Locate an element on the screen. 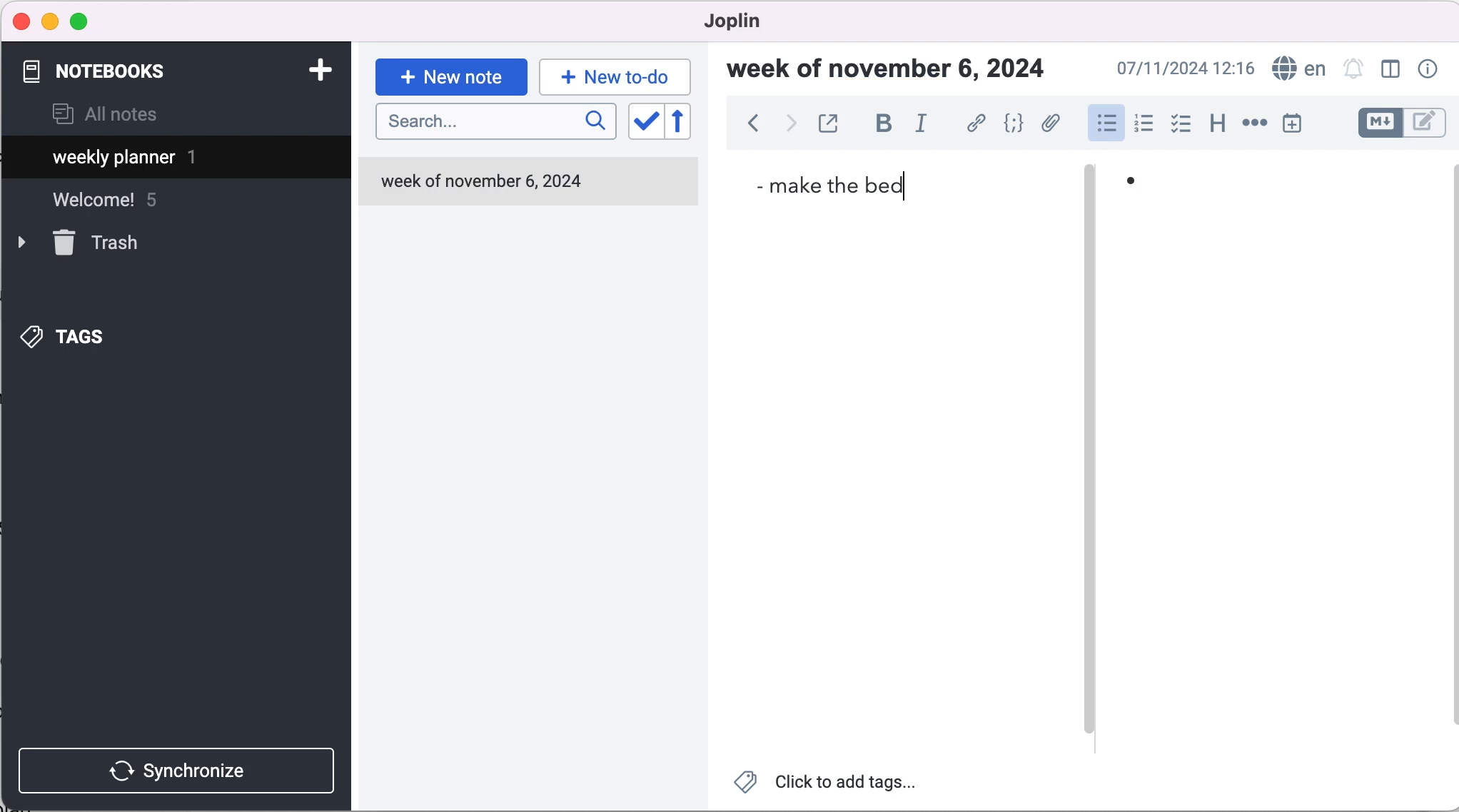 The image size is (1459, 812). forward is located at coordinates (789, 126).